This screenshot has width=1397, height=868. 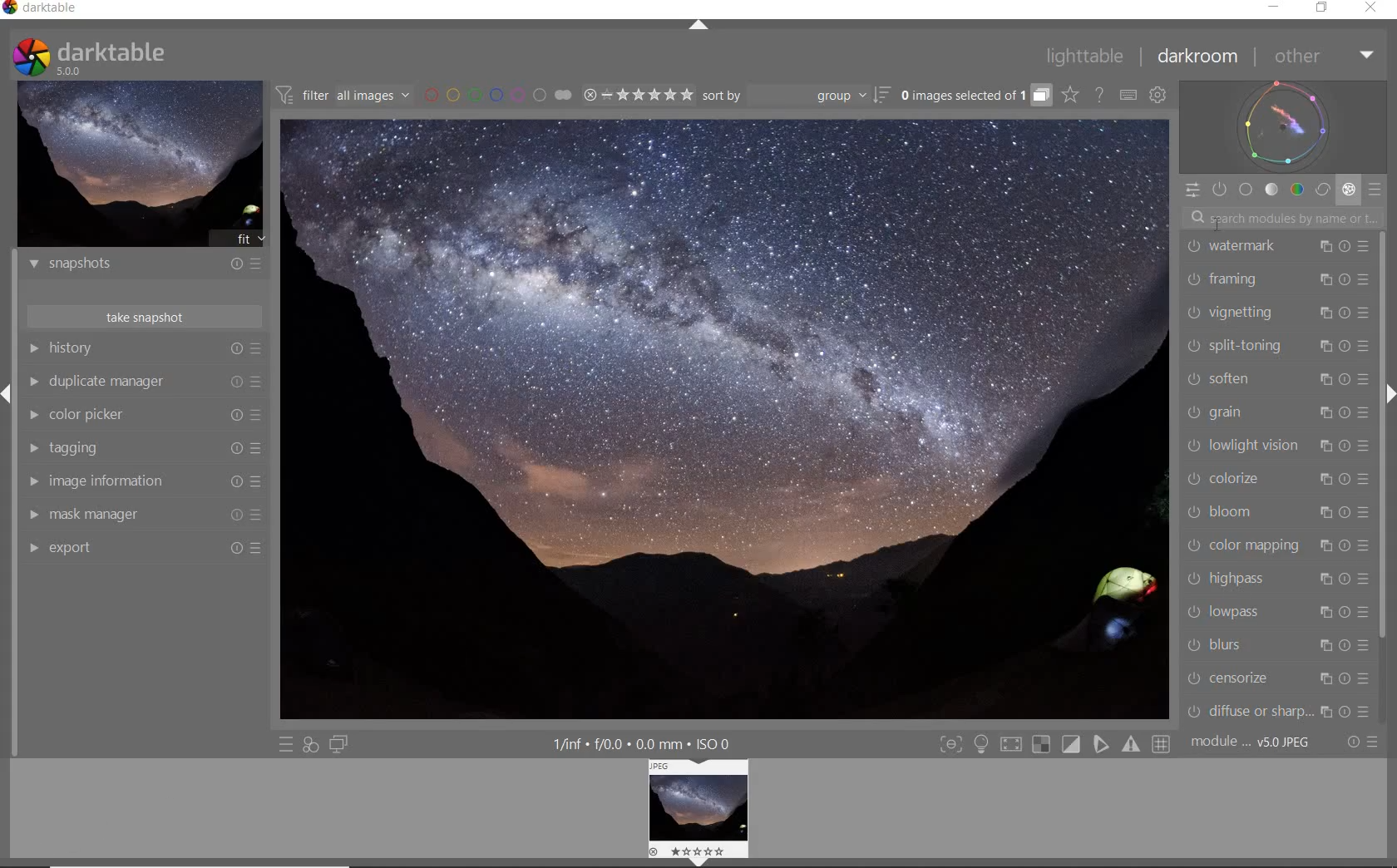 I want to click on reset parameters, so click(x=1341, y=380).